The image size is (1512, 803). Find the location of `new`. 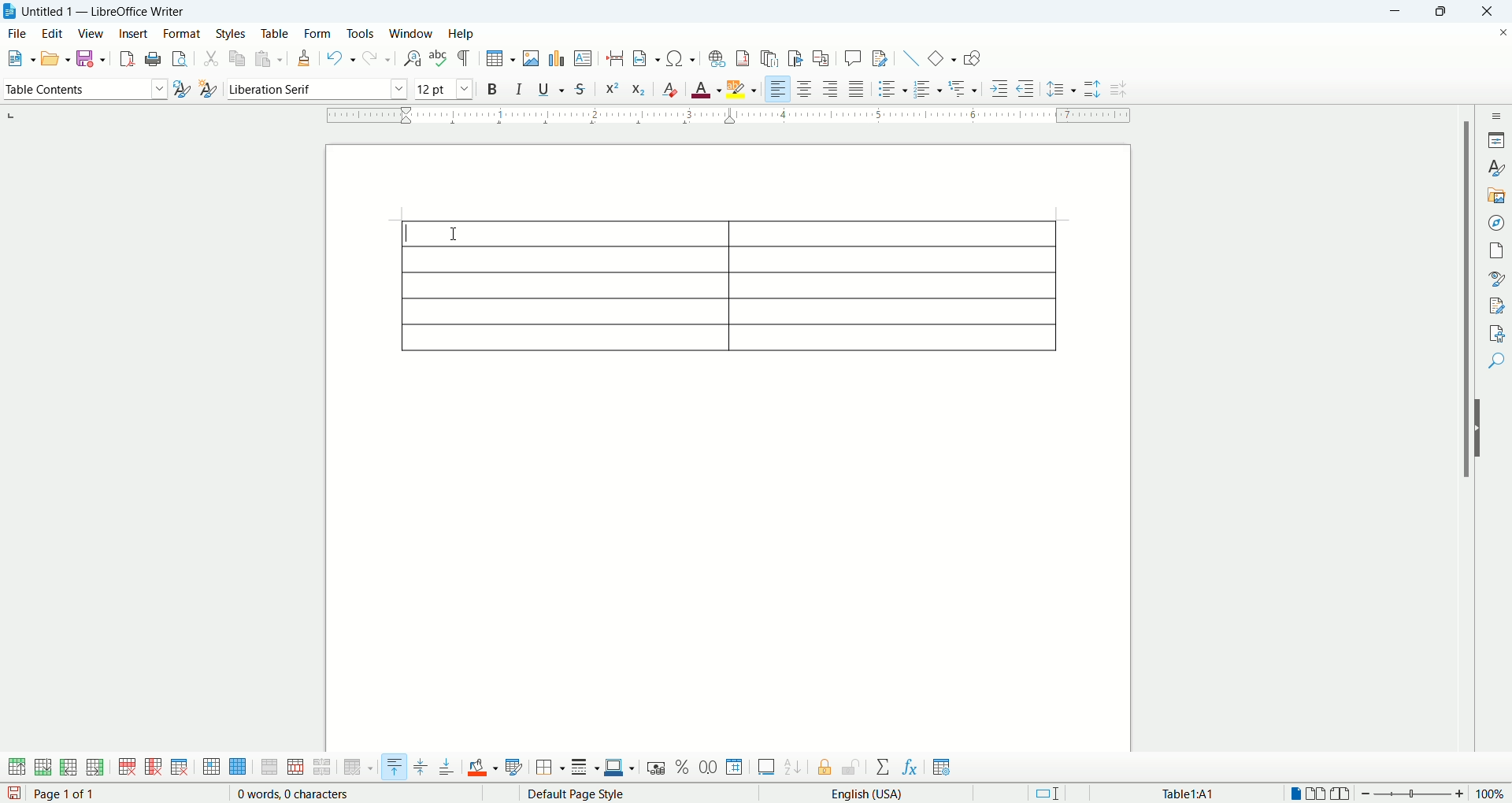

new is located at coordinates (19, 58).